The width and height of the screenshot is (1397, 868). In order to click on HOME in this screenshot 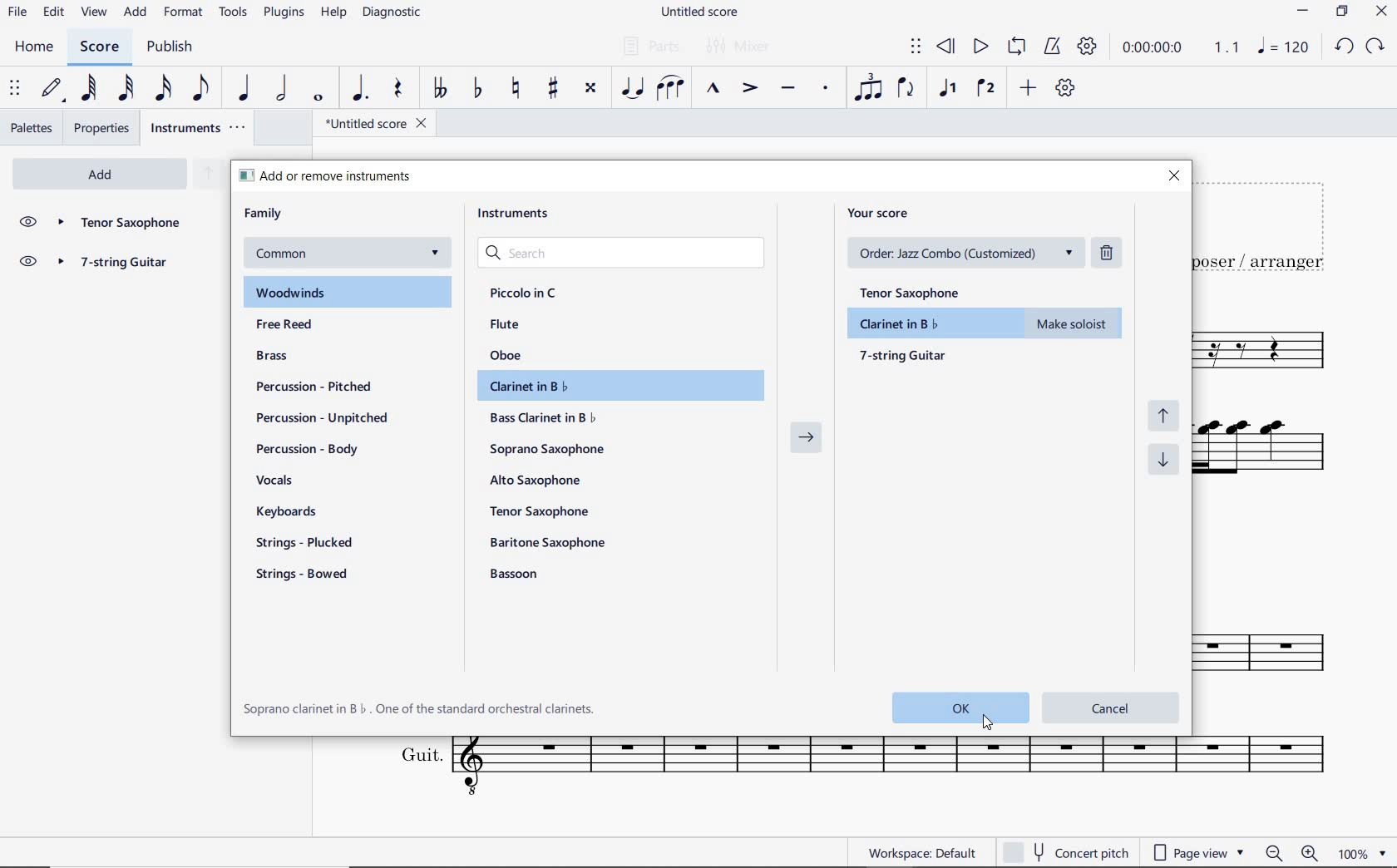, I will do `click(35, 48)`.